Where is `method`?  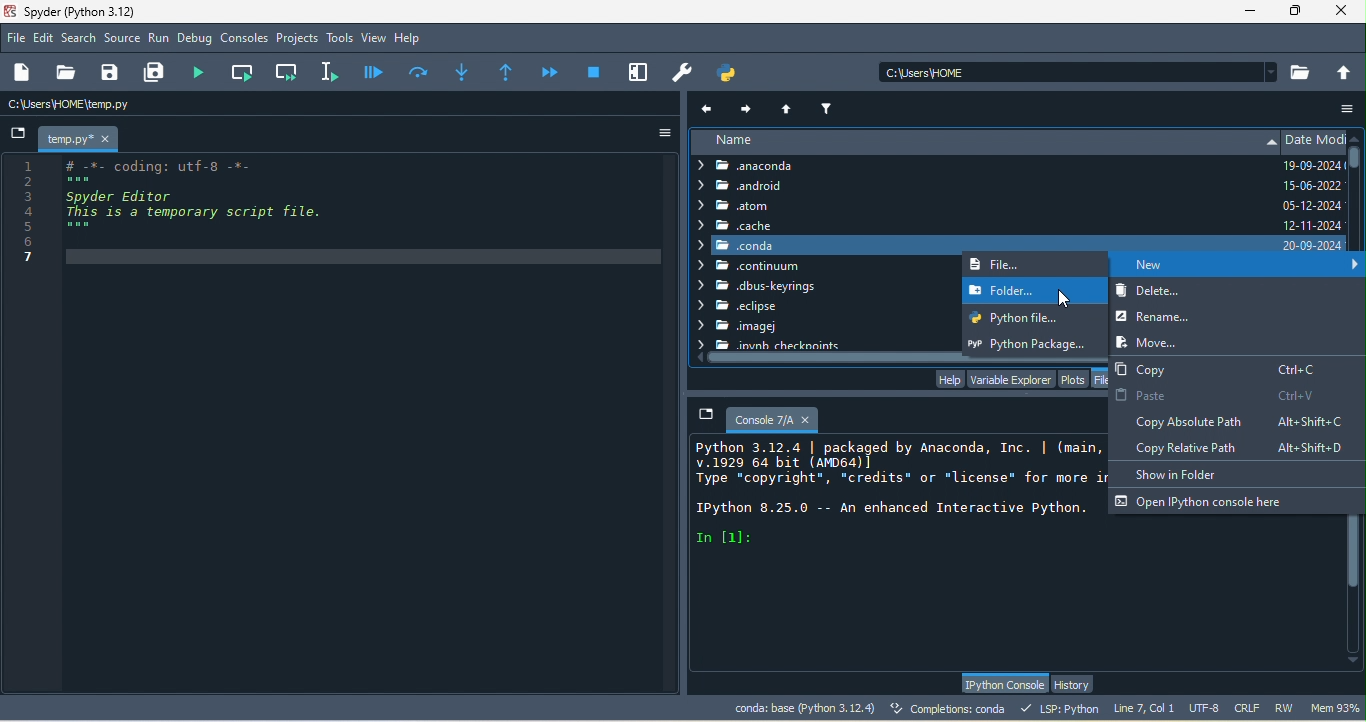 method is located at coordinates (462, 70).